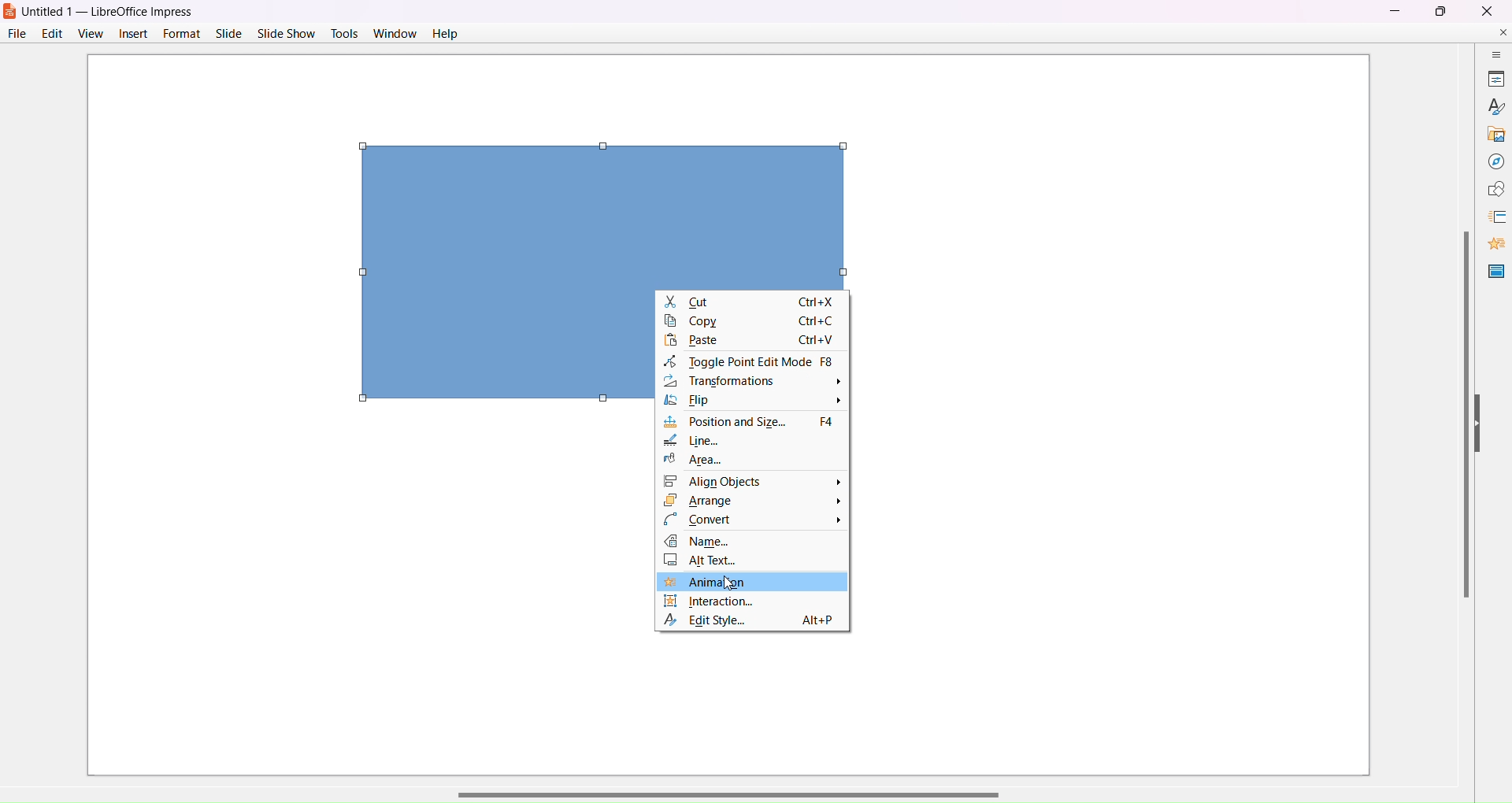 This screenshot has width=1512, height=803. Describe the element at coordinates (1486, 10) in the screenshot. I see `Close` at that location.